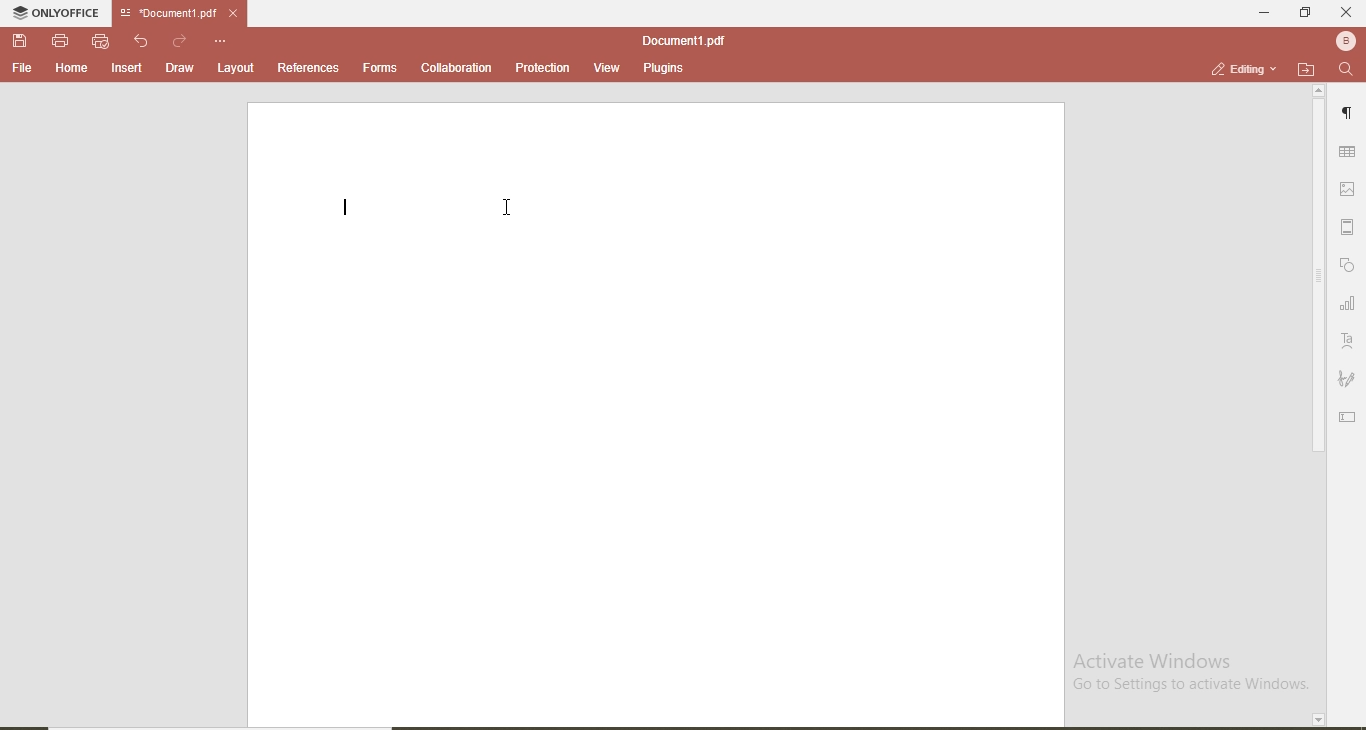 Image resolution: width=1366 pixels, height=730 pixels. I want to click on scroll bar, so click(1316, 281).